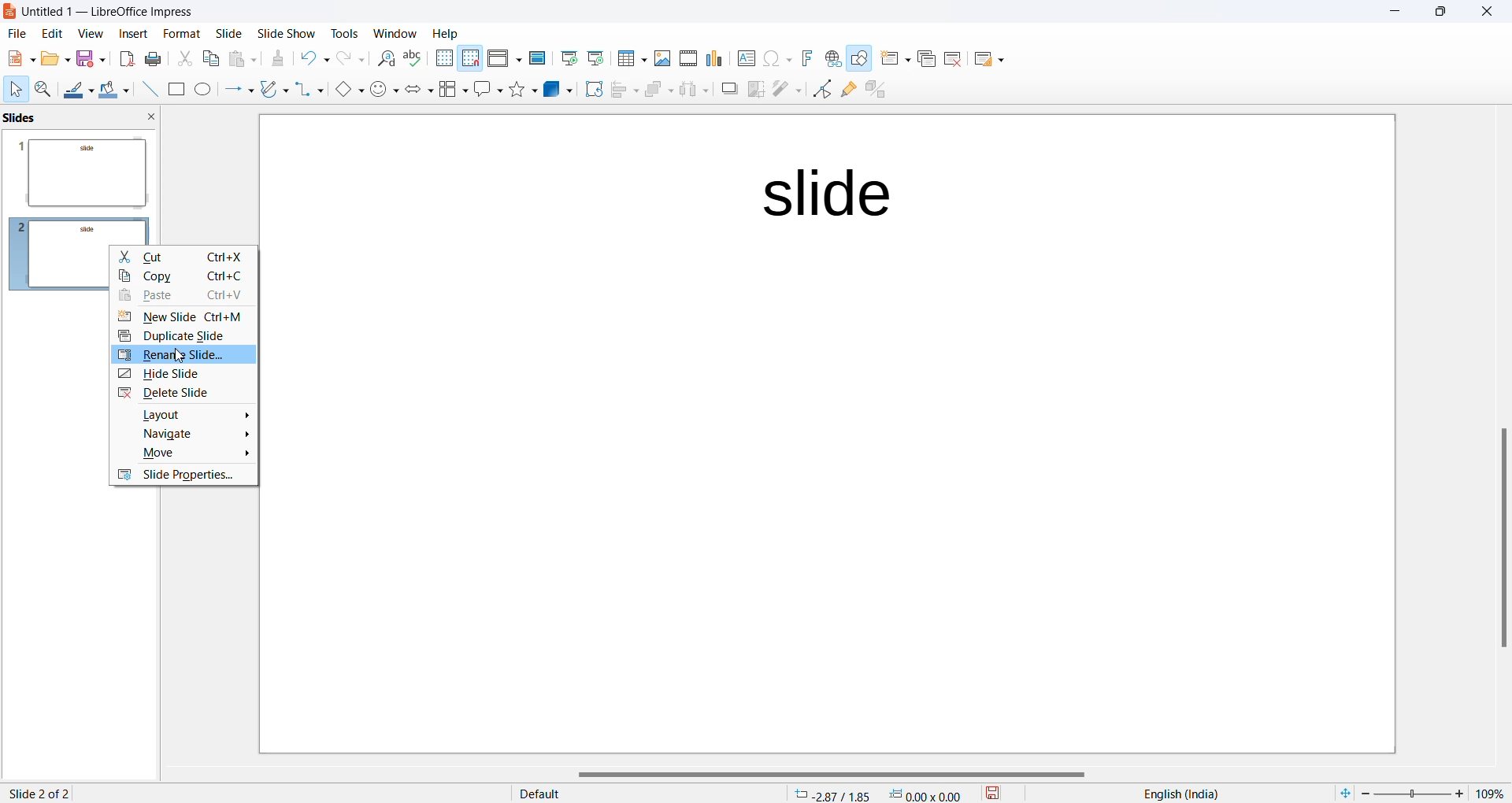  I want to click on close slide preview pane, so click(154, 118).